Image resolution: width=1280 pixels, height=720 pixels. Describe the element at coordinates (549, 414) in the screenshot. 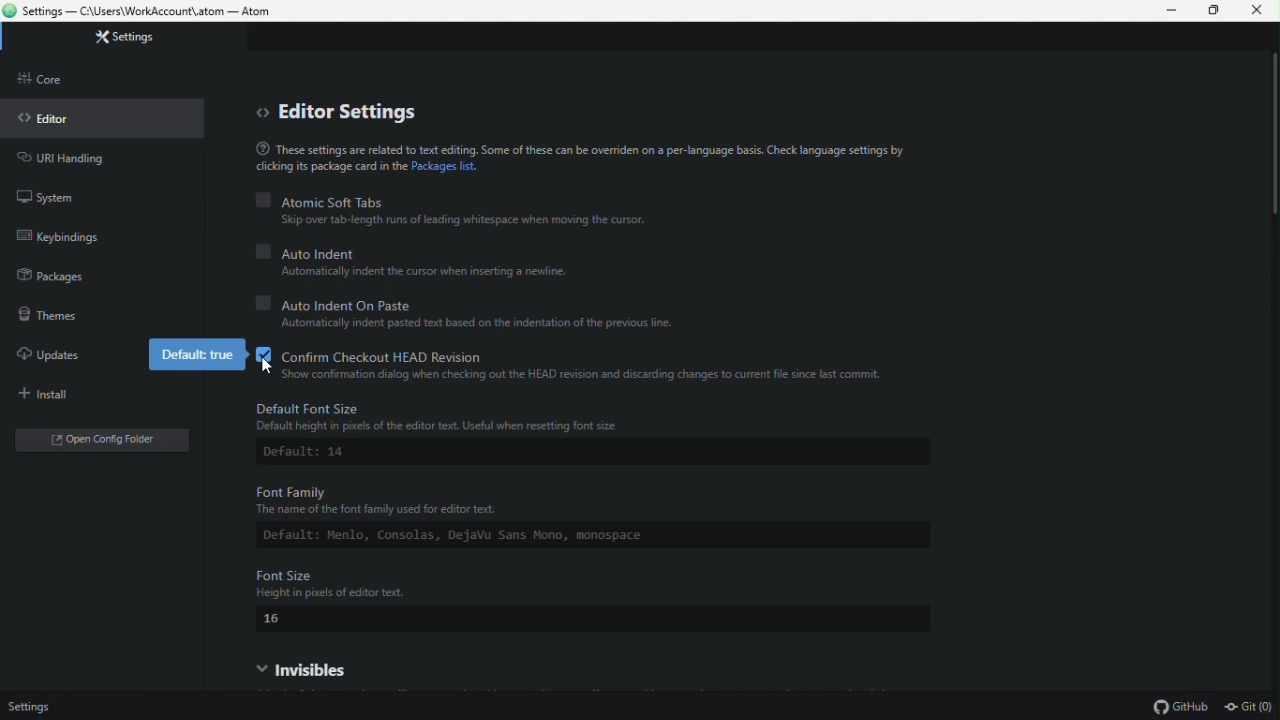

I see `Default Font Size
Default height in pixels of the editor text. Useful when resetting font size` at that location.